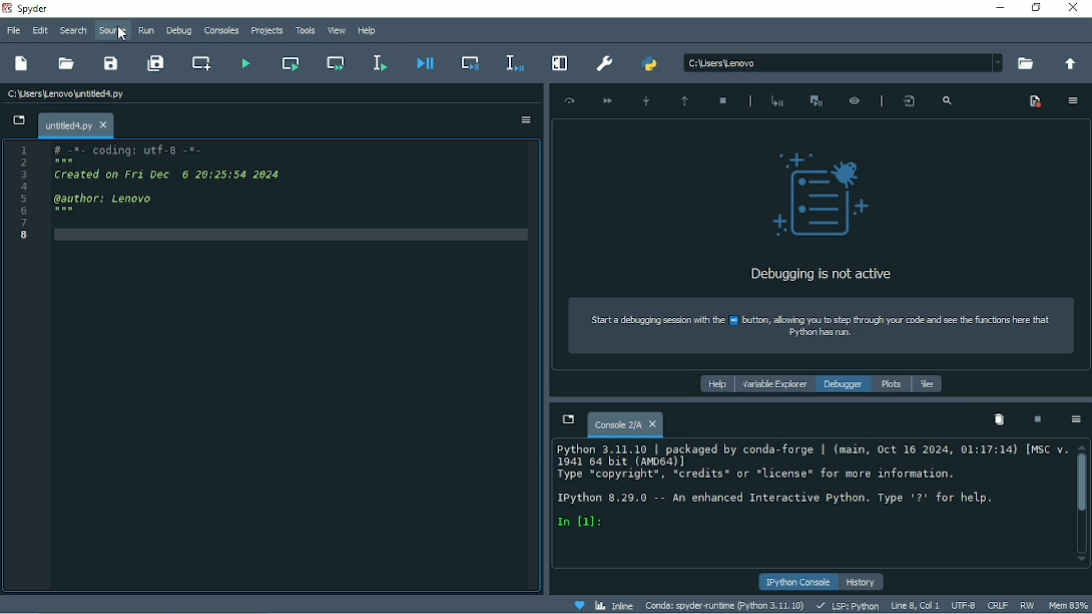  Describe the element at coordinates (154, 64) in the screenshot. I see `Save all files` at that location.